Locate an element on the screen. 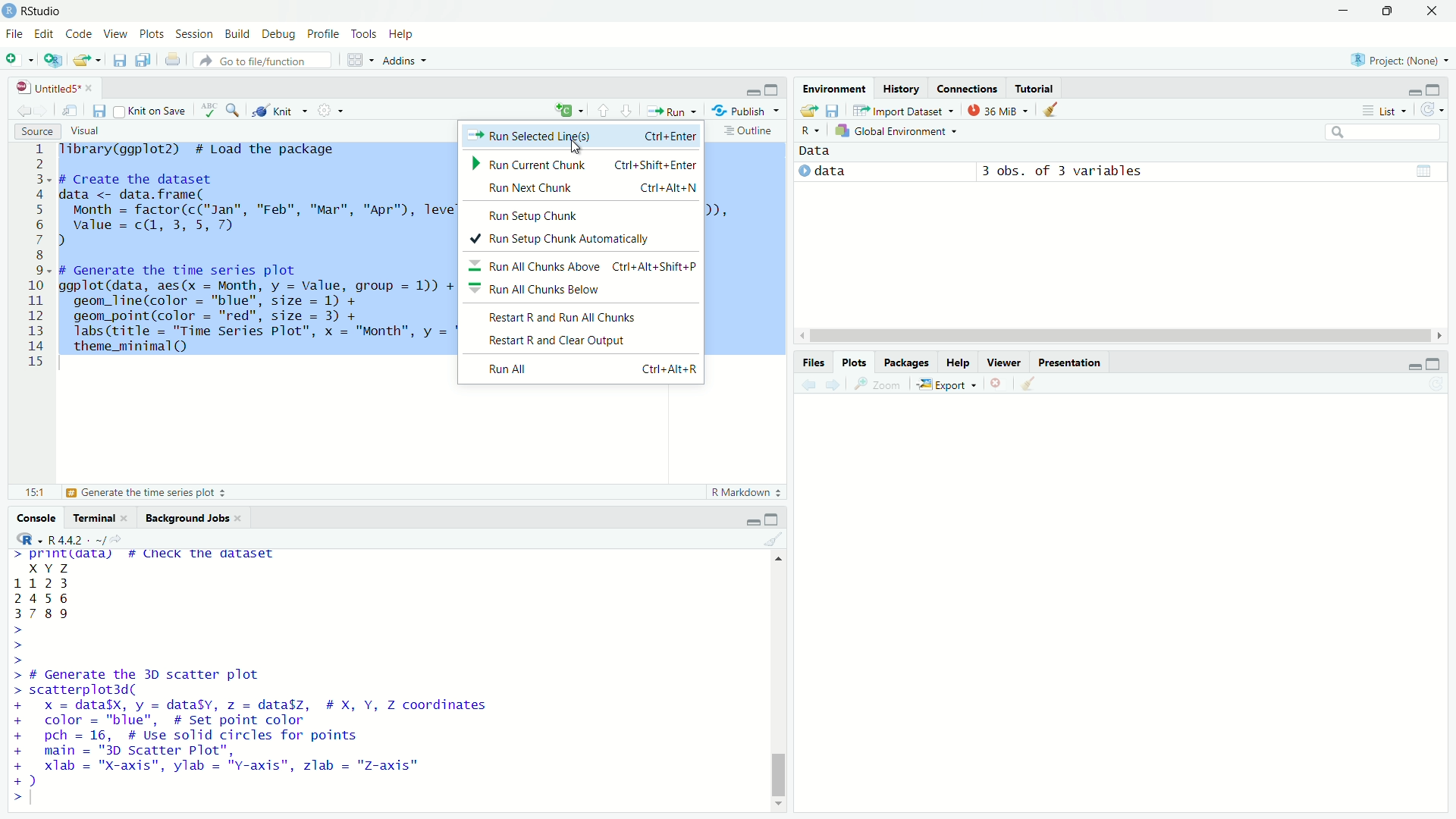 The image size is (1456, 819). clear console is located at coordinates (773, 539).